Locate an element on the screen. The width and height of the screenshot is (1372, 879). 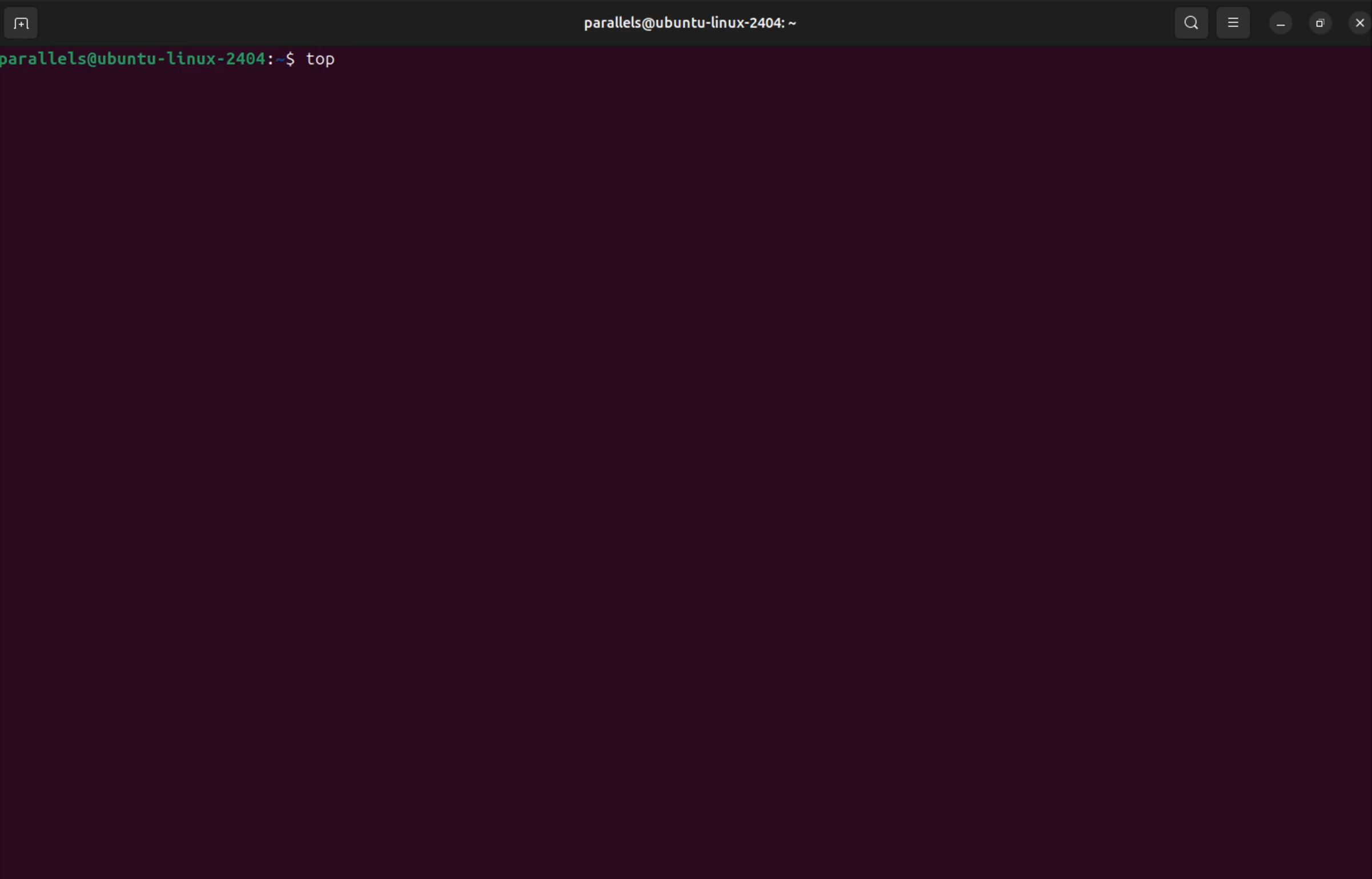
viewing mode is located at coordinates (1233, 23).